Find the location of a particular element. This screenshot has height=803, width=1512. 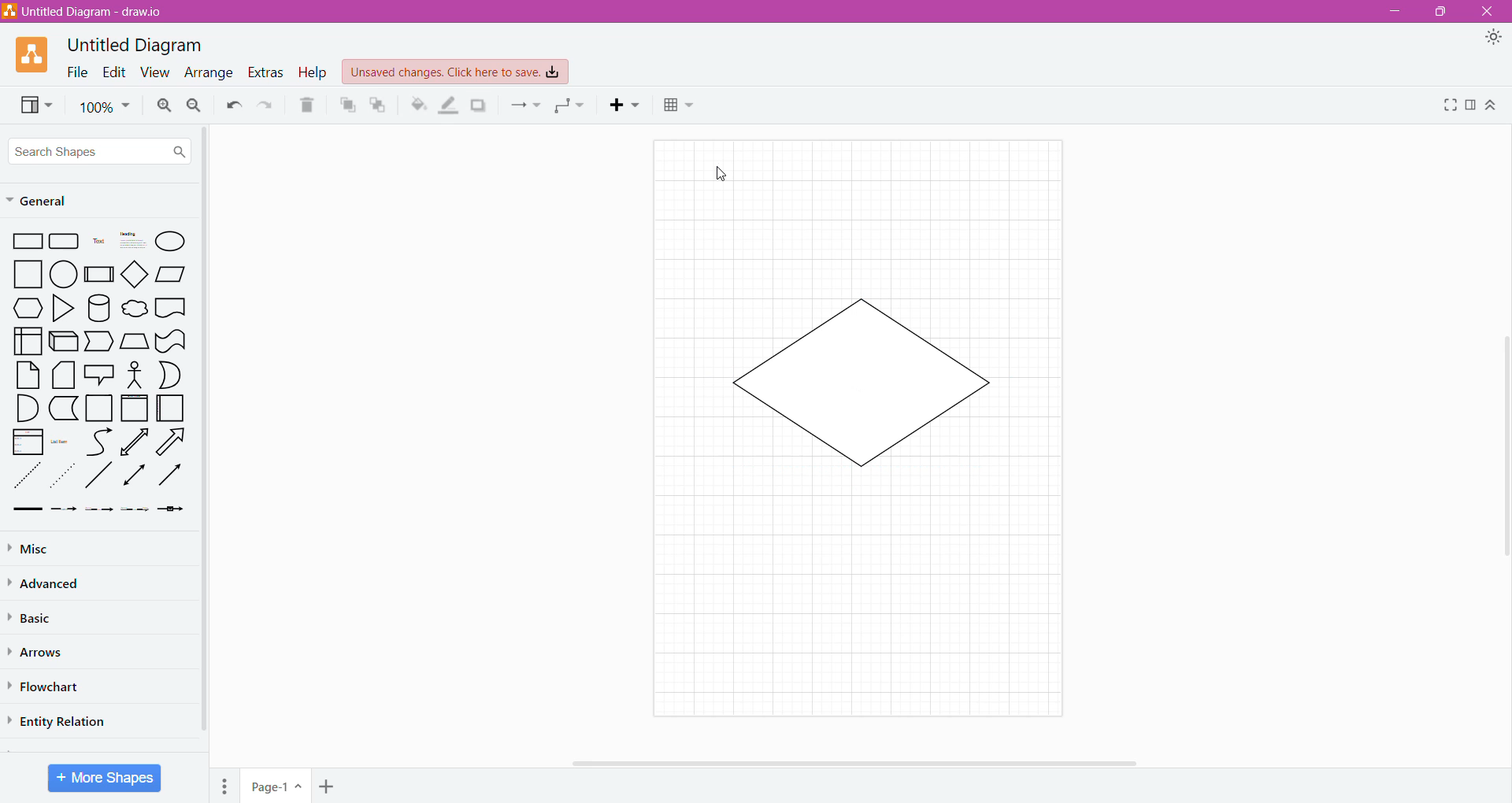

Shadow is located at coordinates (479, 105).